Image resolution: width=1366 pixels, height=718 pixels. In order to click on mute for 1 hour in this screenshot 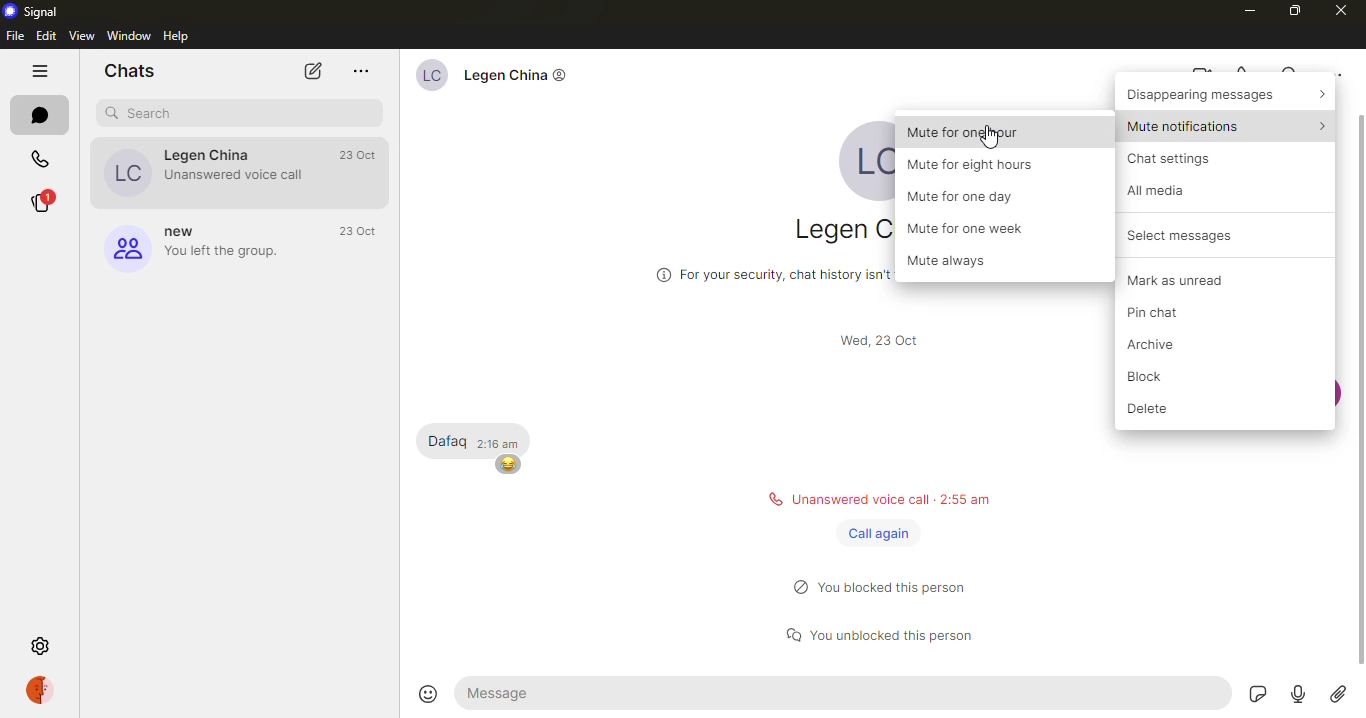, I will do `click(971, 130)`.